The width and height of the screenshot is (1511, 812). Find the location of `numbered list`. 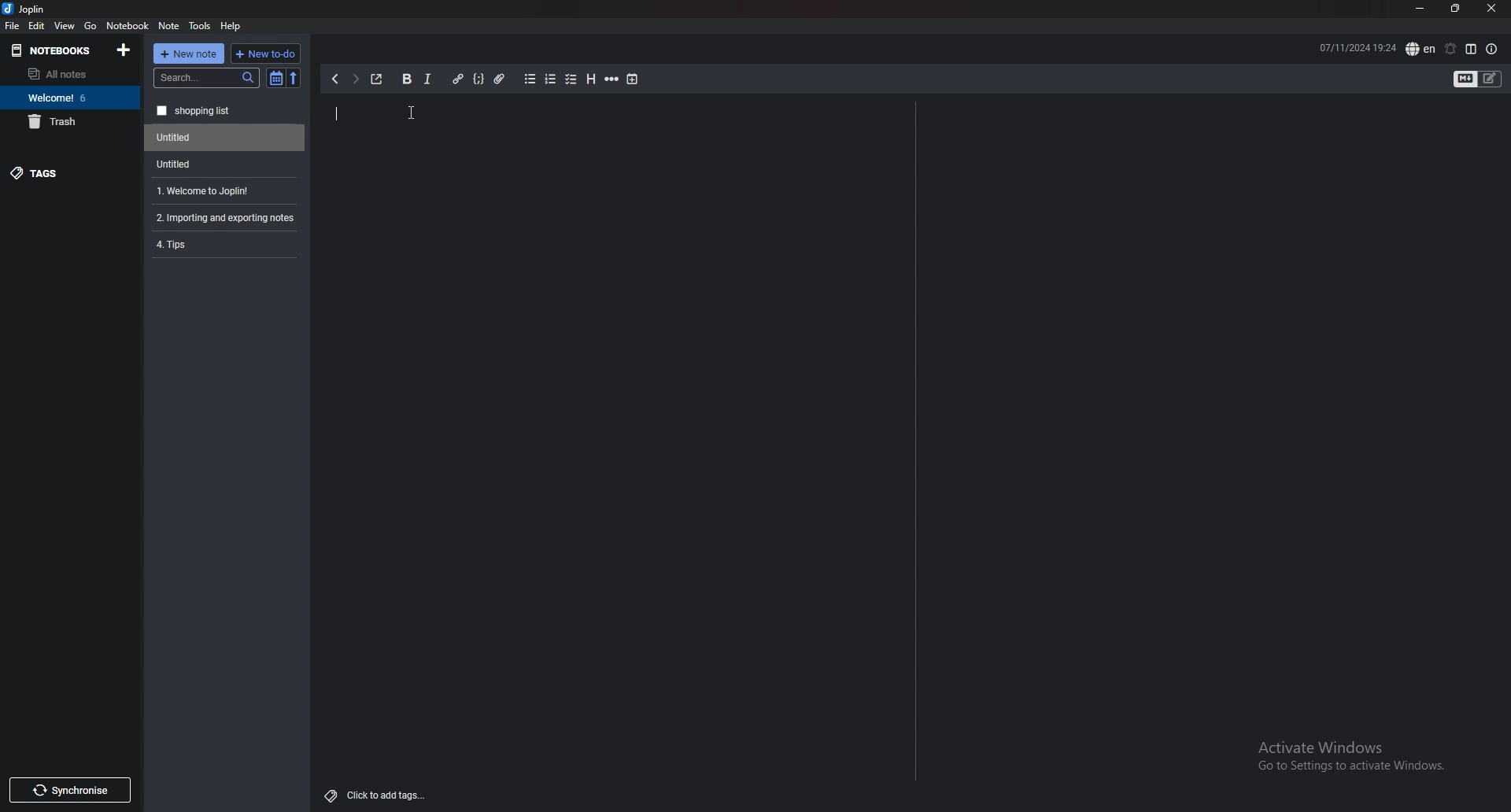

numbered list is located at coordinates (549, 79).